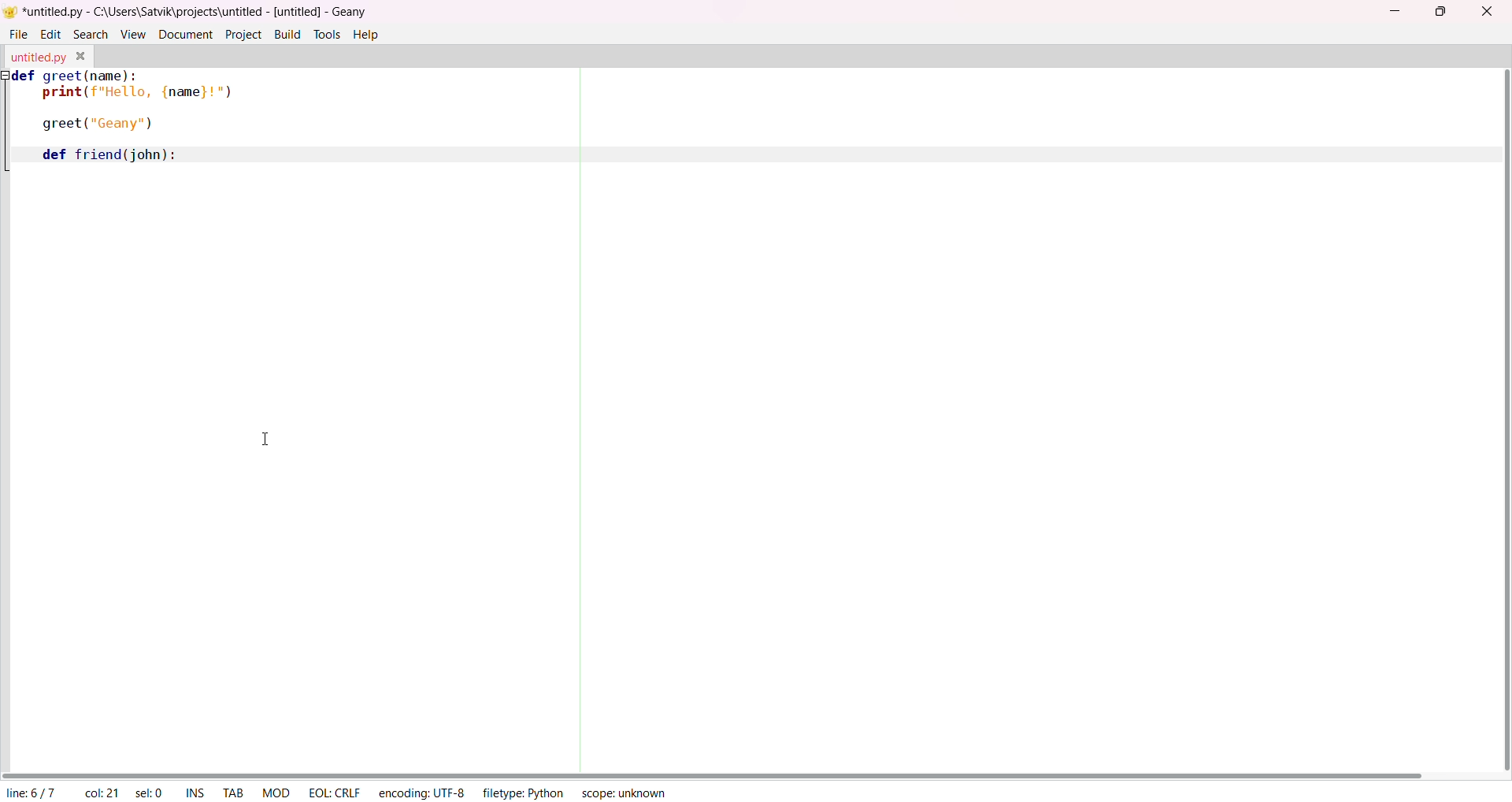 This screenshot has height=802, width=1512. I want to click on vertical scroll bar, so click(1499, 421).